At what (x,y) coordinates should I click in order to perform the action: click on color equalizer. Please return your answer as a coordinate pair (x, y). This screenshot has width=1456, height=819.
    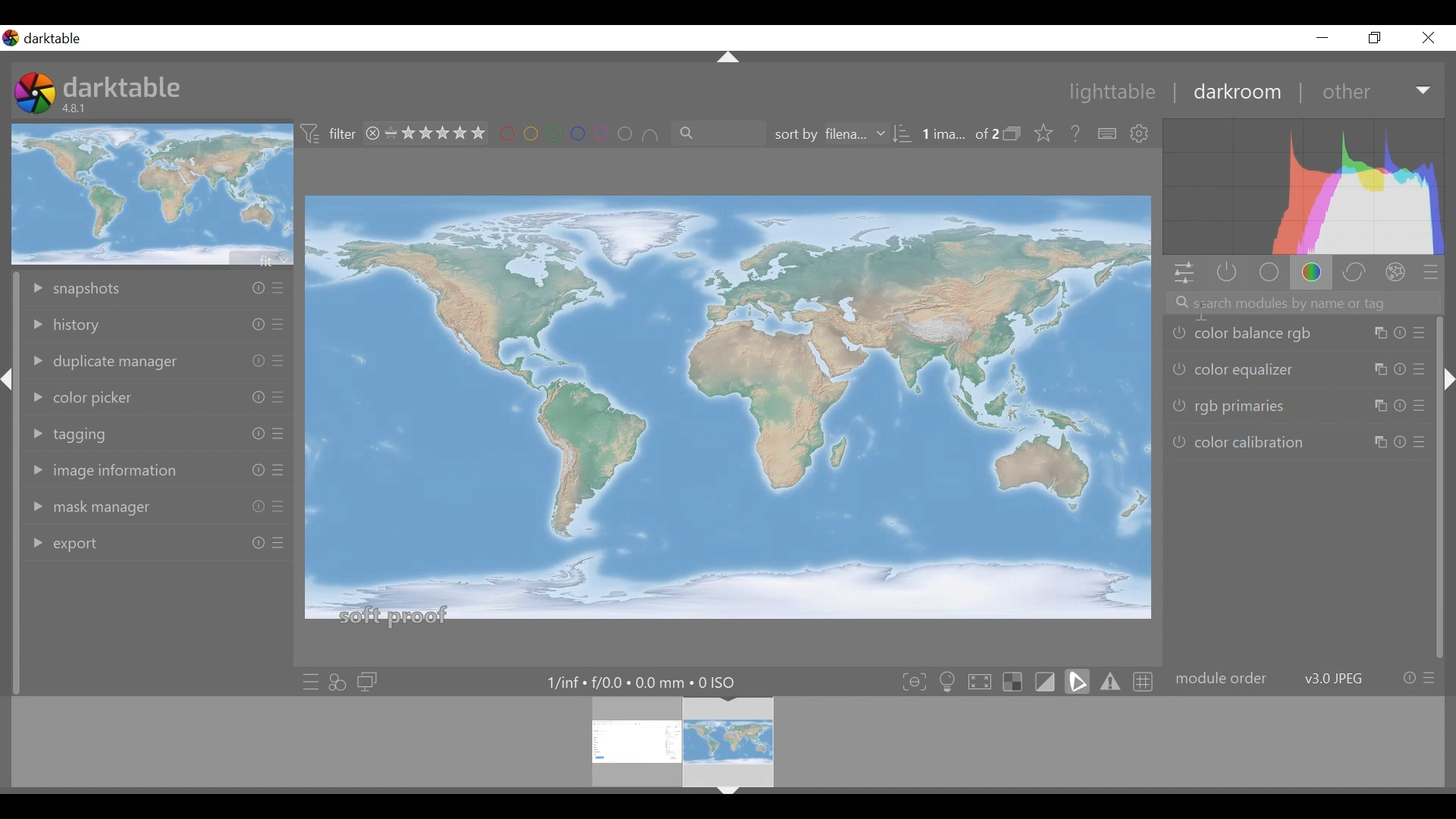
    Looking at the image, I should click on (1238, 366).